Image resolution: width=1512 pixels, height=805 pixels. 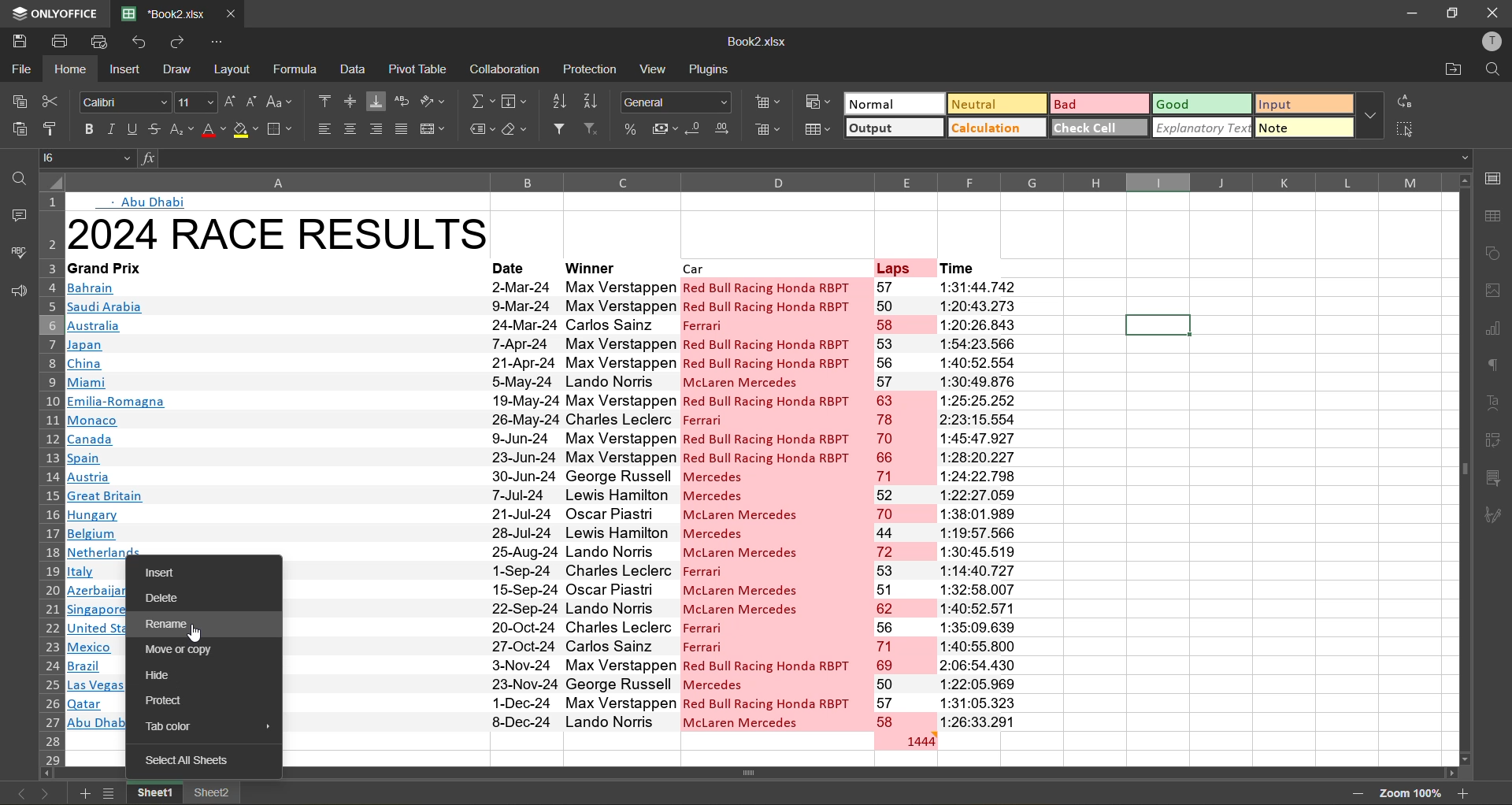 What do you see at coordinates (53, 130) in the screenshot?
I see `copy style` at bounding box center [53, 130].